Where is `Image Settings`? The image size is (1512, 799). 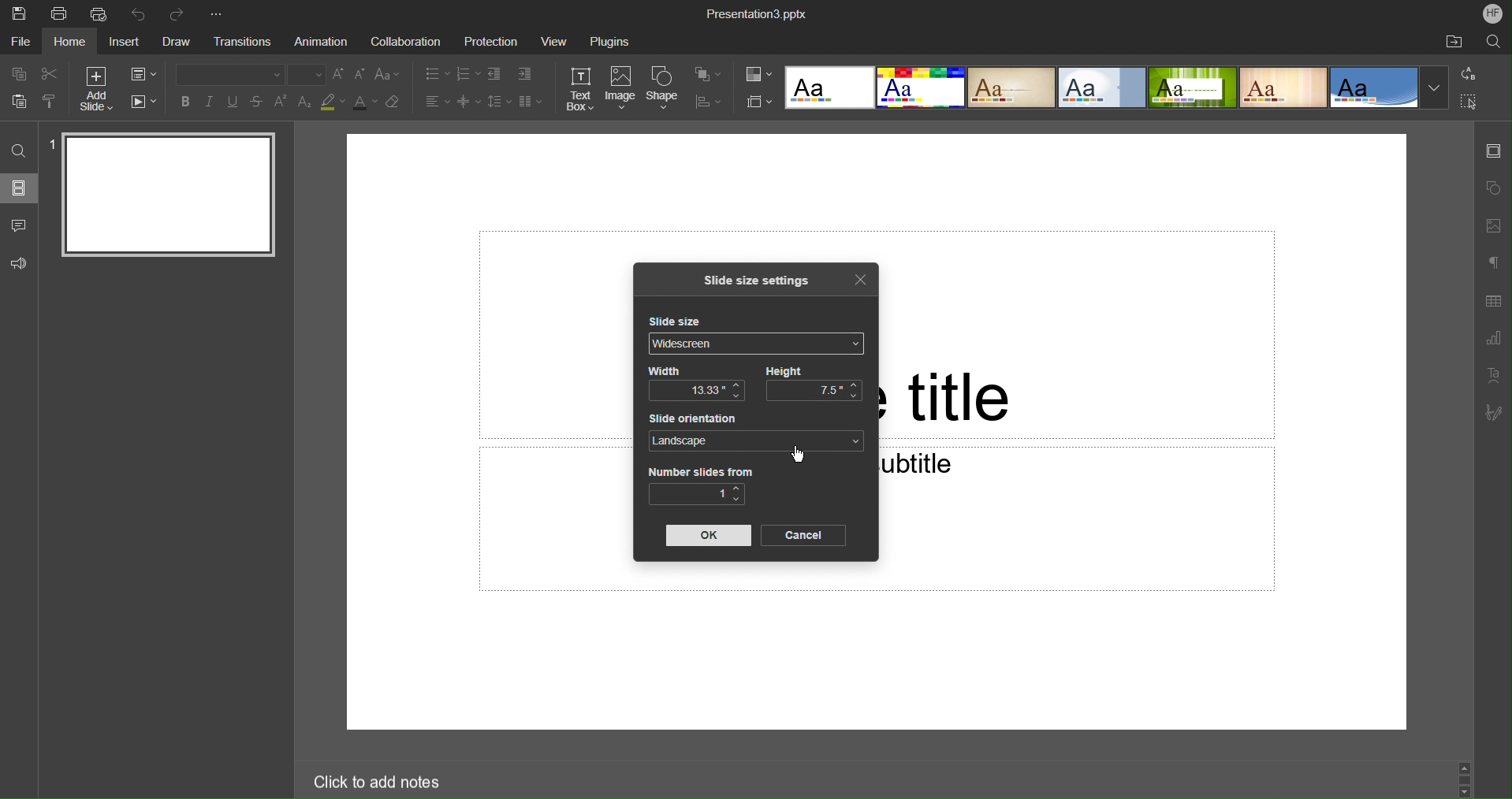
Image Settings is located at coordinates (1494, 224).